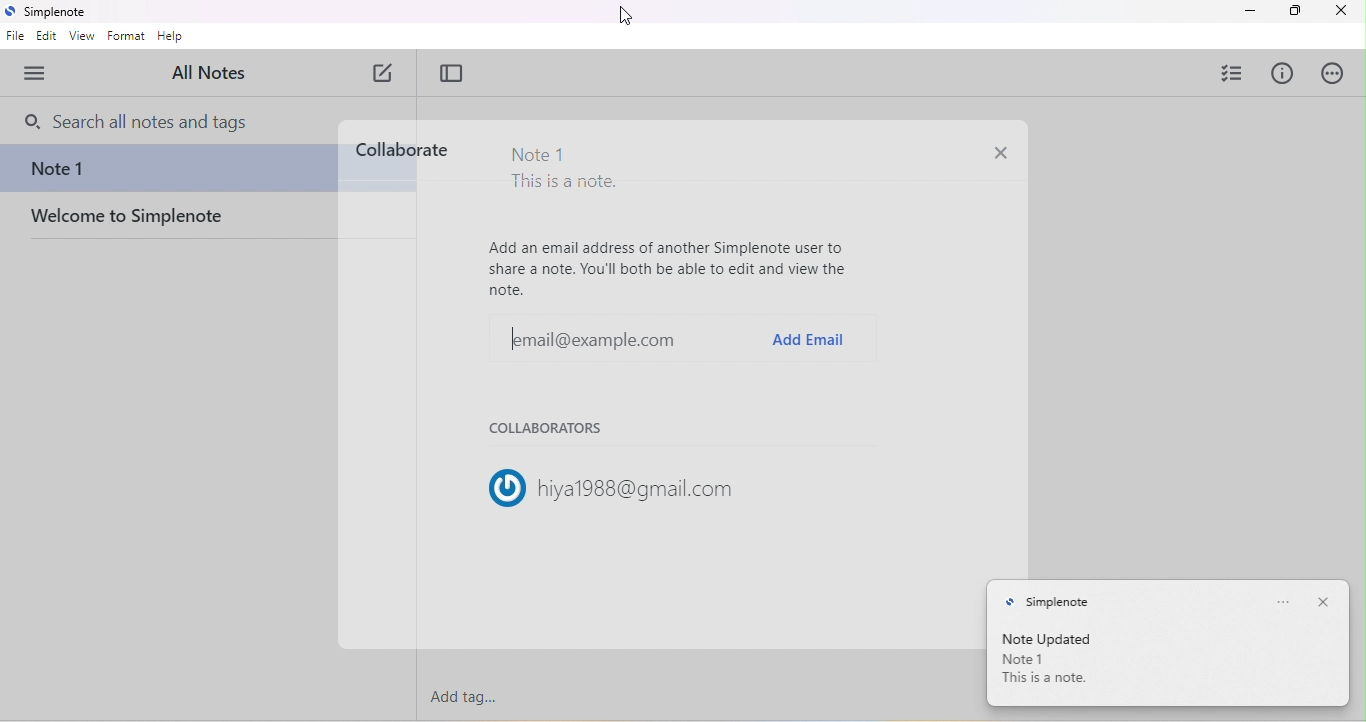 This screenshot has height=722, width=1366. I want to click on note, so click(166, 171).